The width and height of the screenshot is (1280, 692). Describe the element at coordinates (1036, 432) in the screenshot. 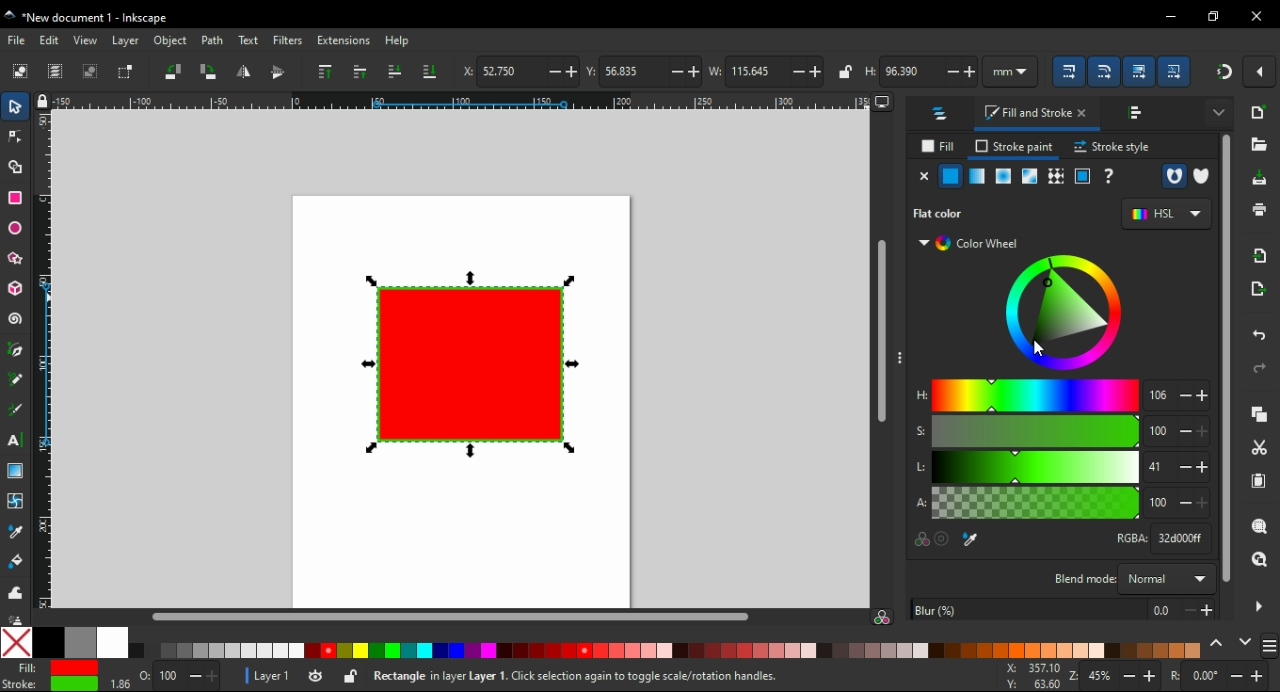

I see `saturation` at that location.